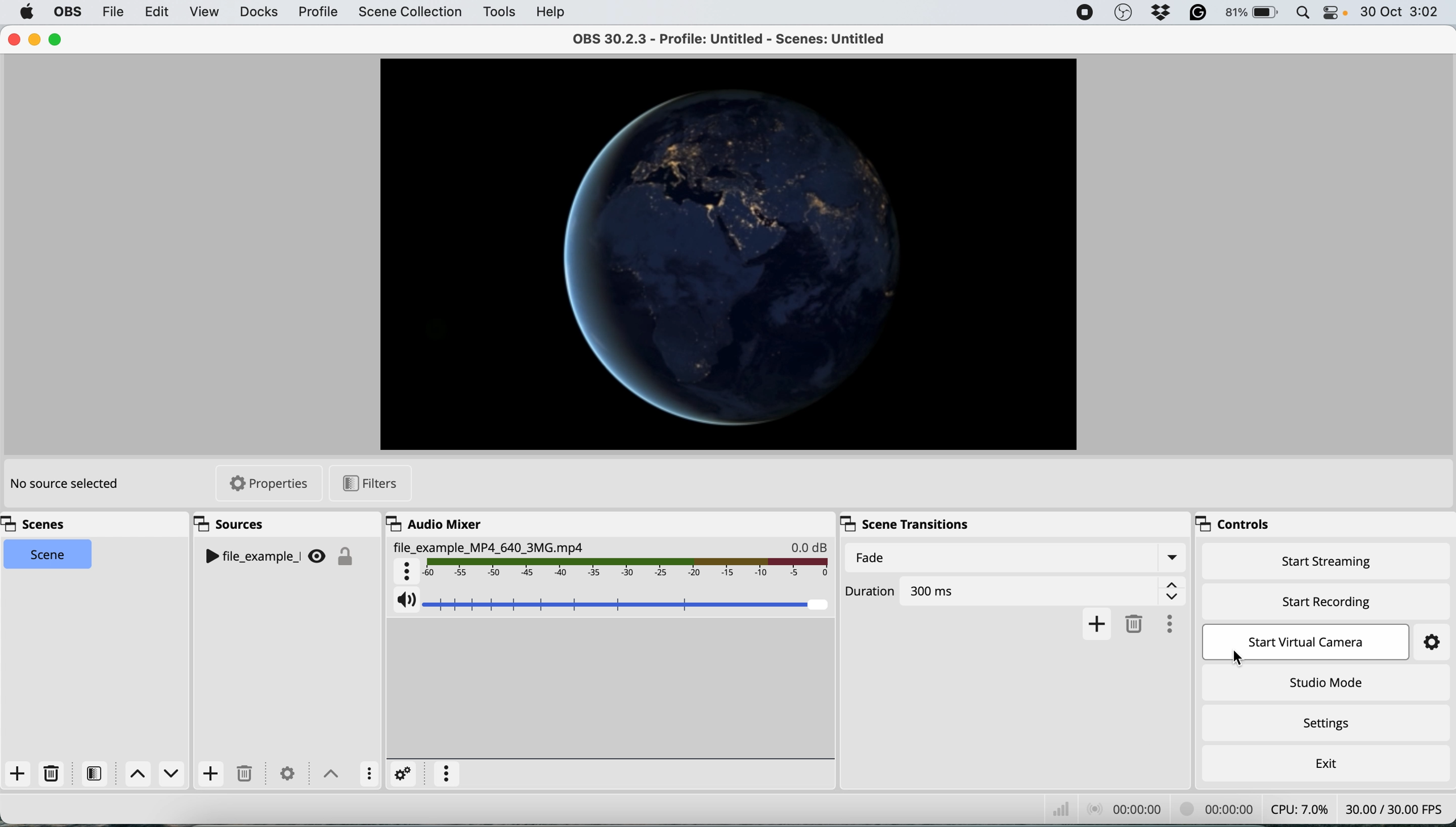  What do you see at coordinates (1125, 809) in the screenshot?
I see `audio recording timestamp` at bounding box center [1125, 809].